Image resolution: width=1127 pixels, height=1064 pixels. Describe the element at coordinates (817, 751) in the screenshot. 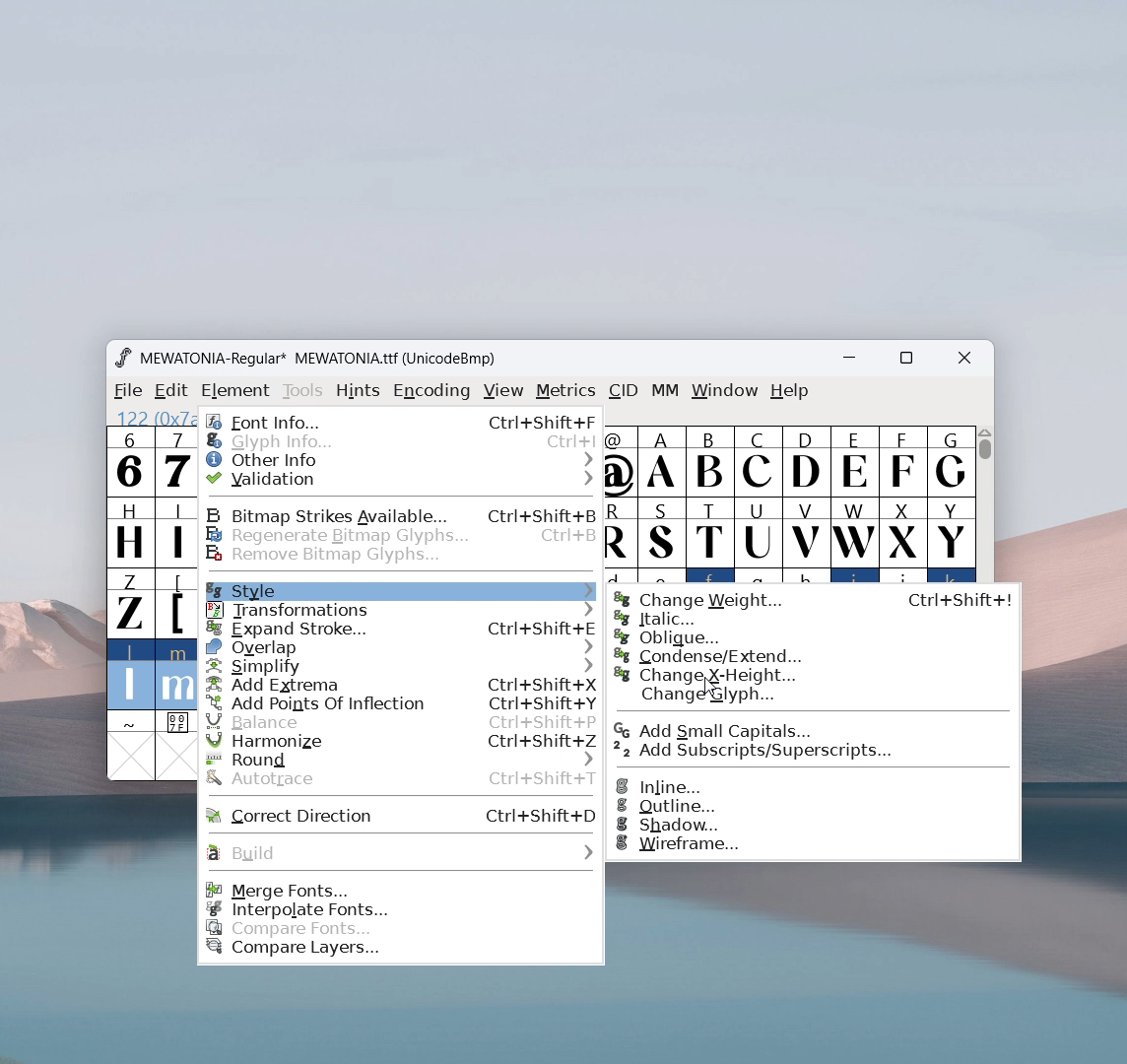

I see `add subscripts/superscripts` at that location.